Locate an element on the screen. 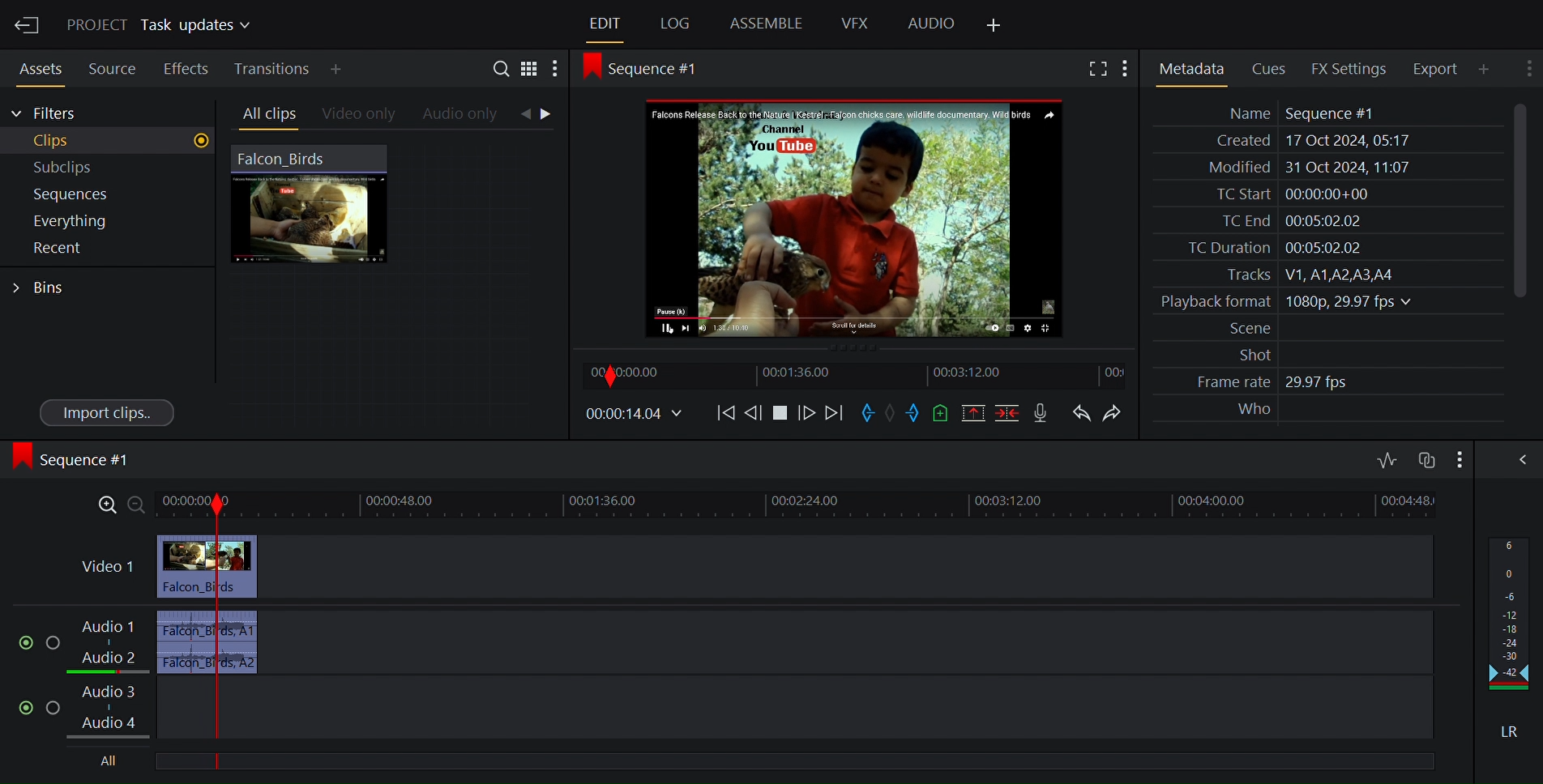 The height and width of the screenshot is (784, 1543). Mute/Unmute is located at coordinates (20, 639).